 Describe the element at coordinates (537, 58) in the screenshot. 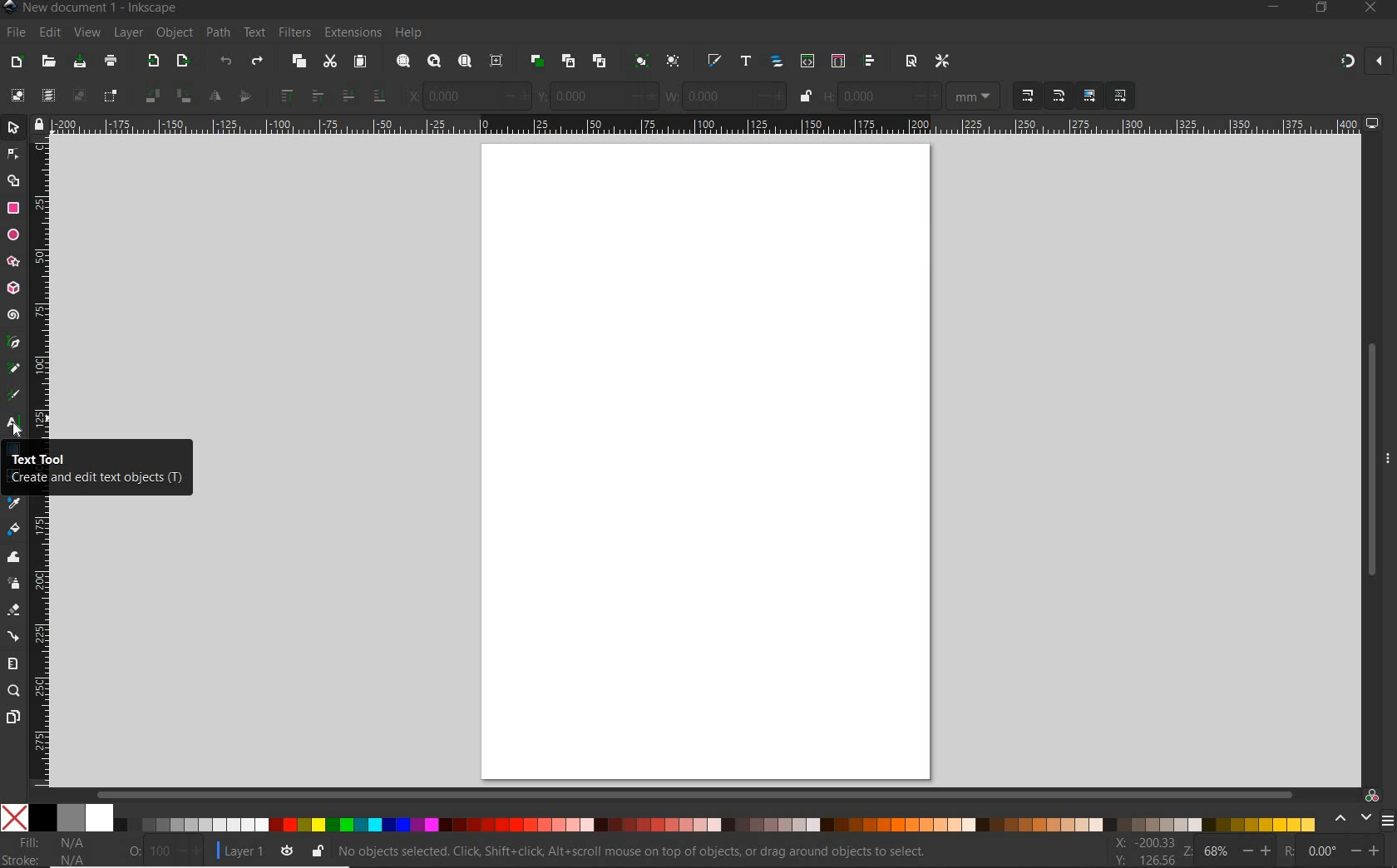

I see `duplicate` at that location.